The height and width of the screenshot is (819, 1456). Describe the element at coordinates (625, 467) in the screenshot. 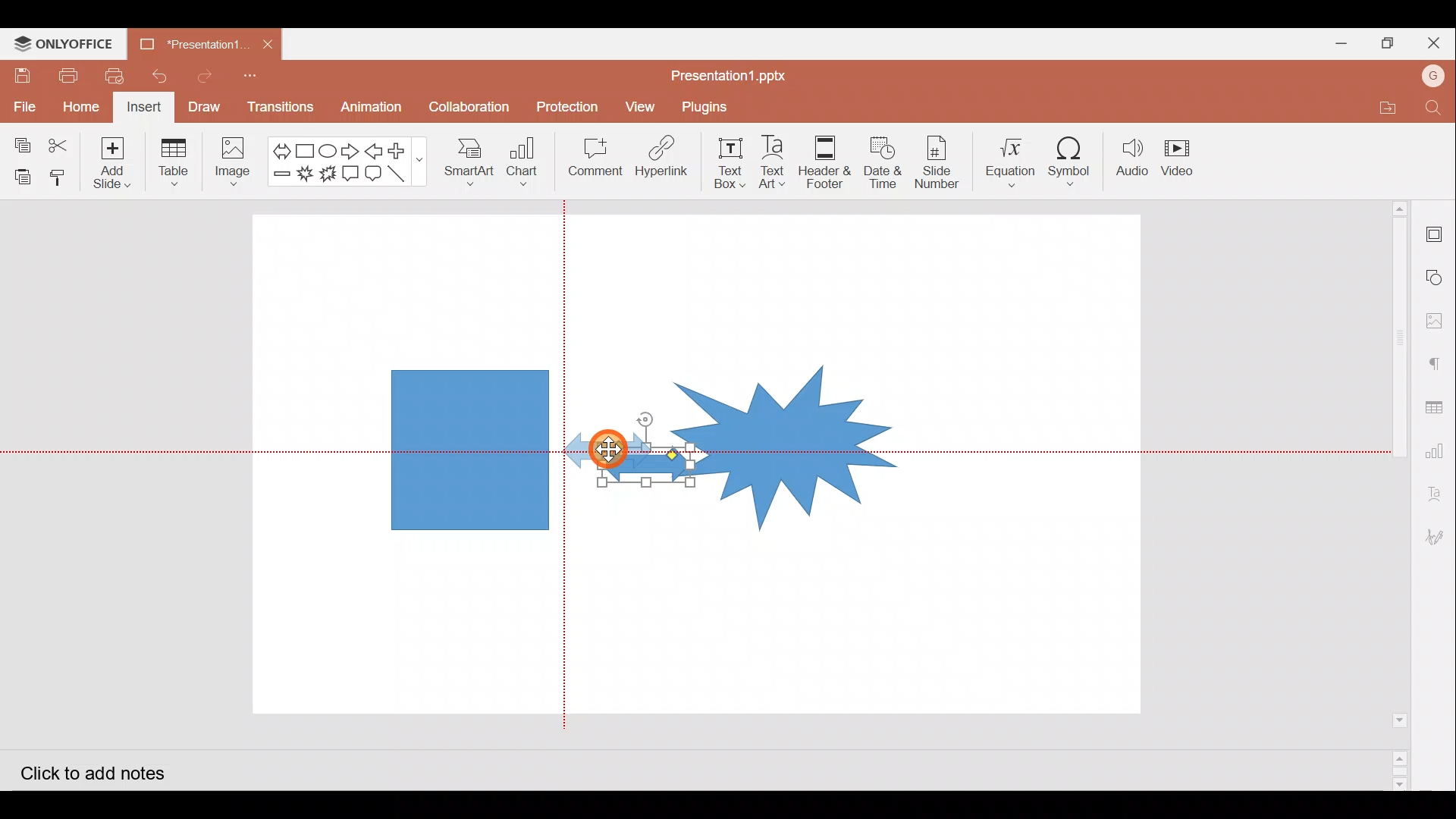

I see `Left right arrow` at that location.